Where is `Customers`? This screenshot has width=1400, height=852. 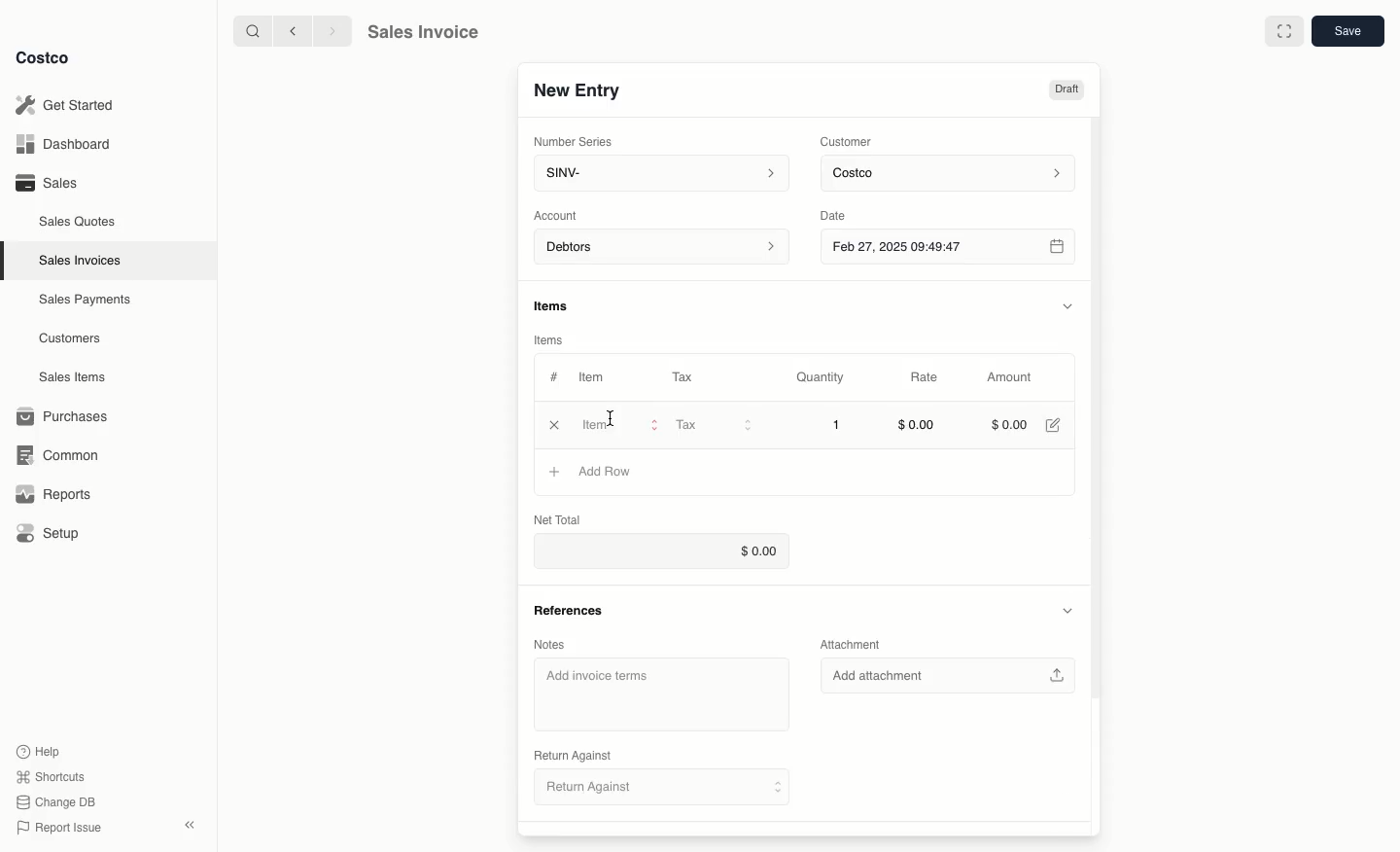
Customers is located at coordinates (73, 338).